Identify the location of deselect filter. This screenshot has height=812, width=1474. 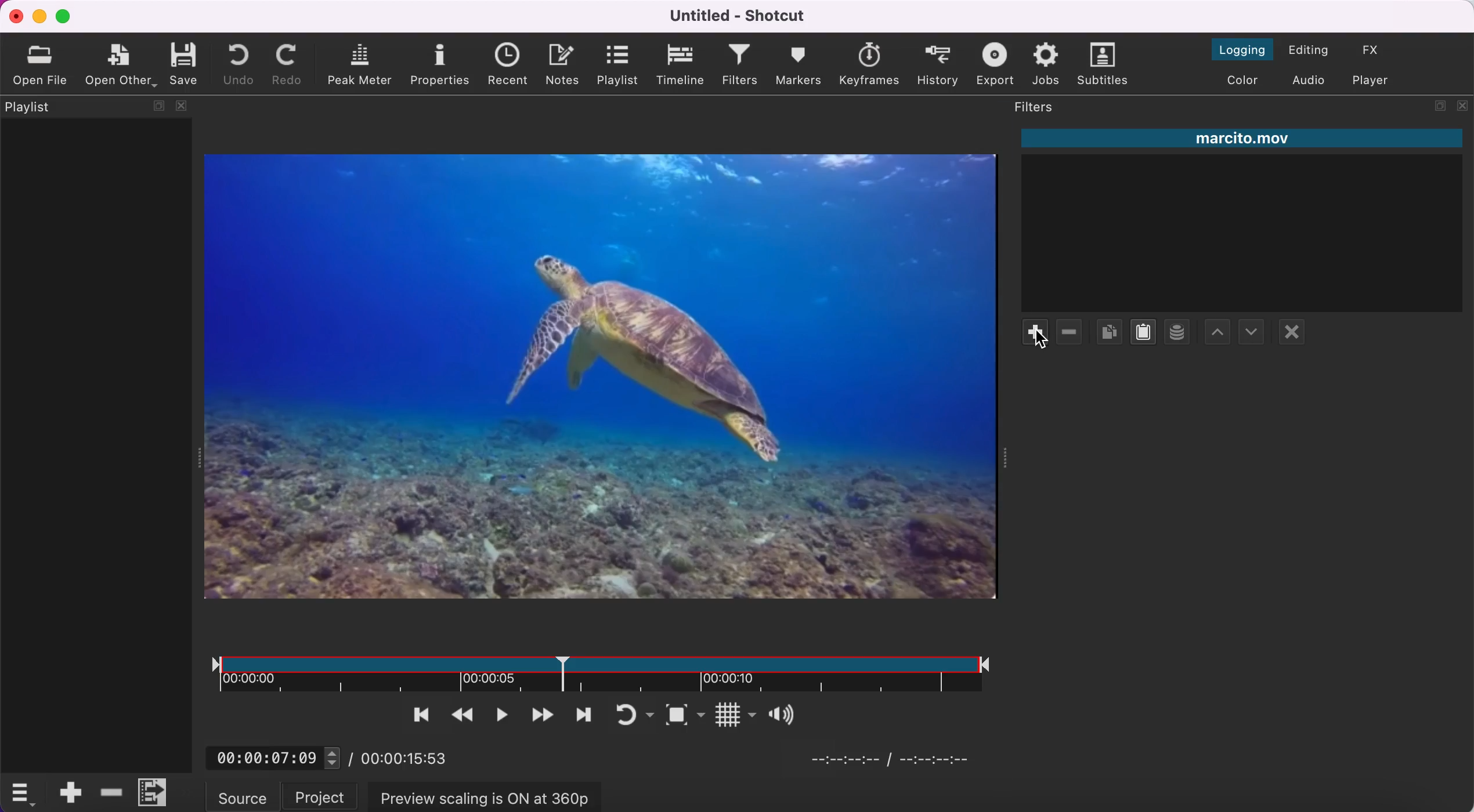
(1294, 333).